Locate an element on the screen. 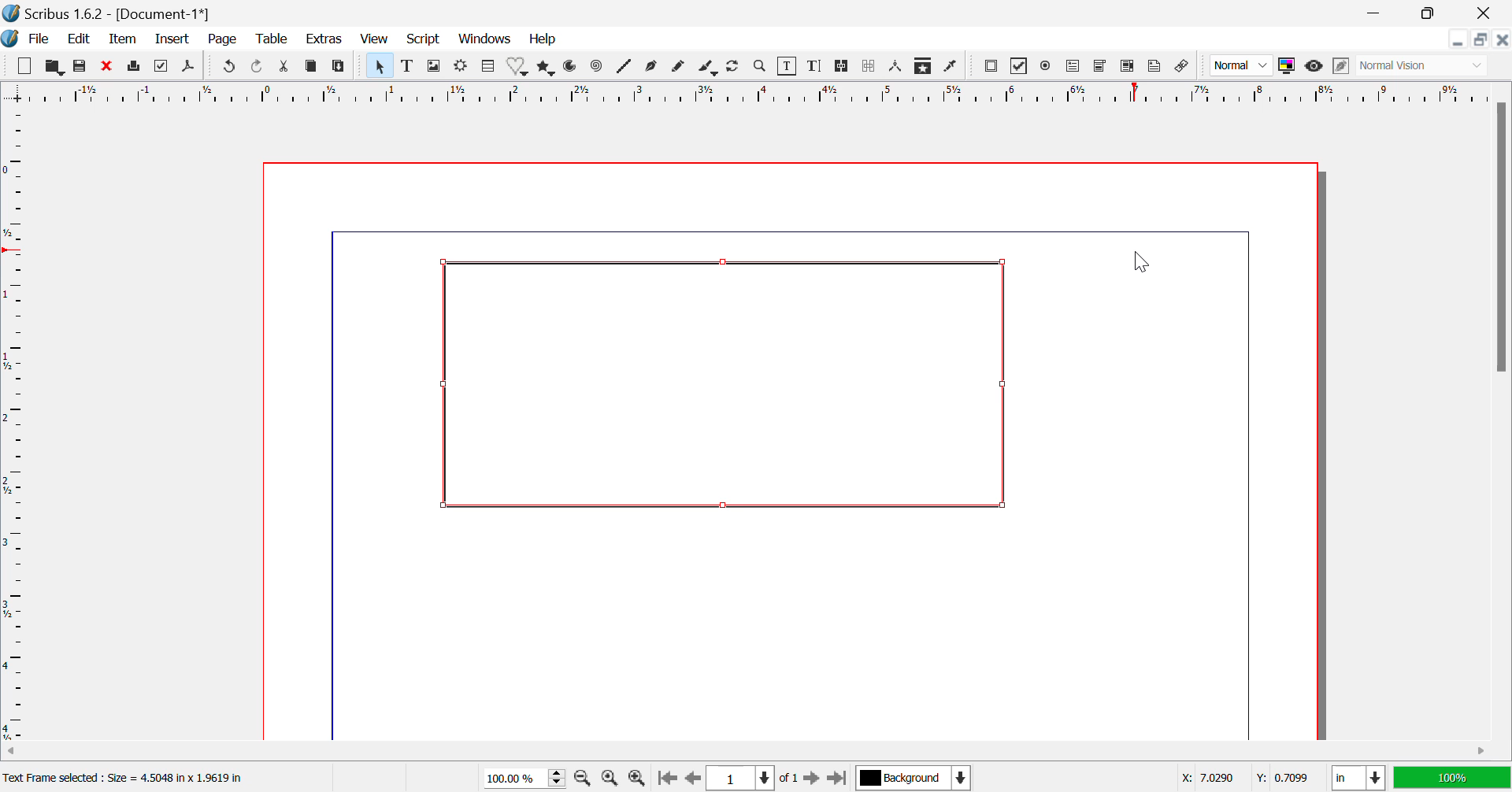  Polygons is located at coordinates (545, 69).